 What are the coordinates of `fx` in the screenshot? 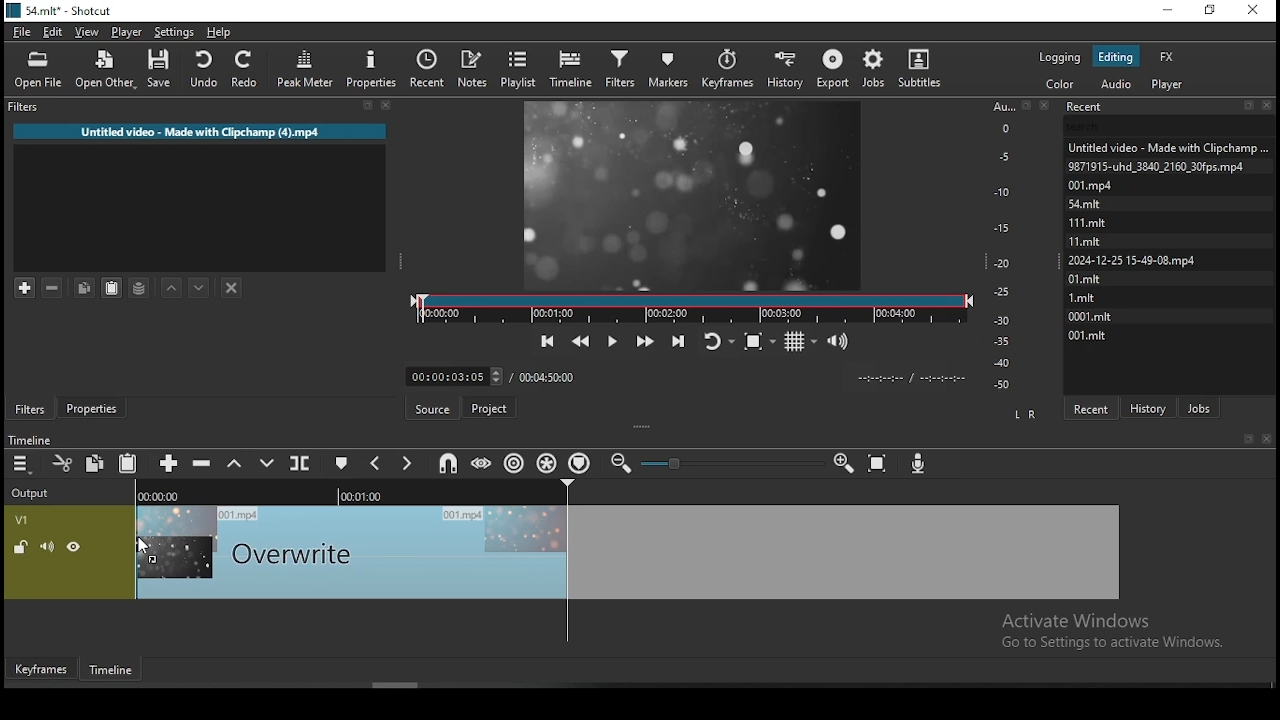 It's located at (1168, 56).